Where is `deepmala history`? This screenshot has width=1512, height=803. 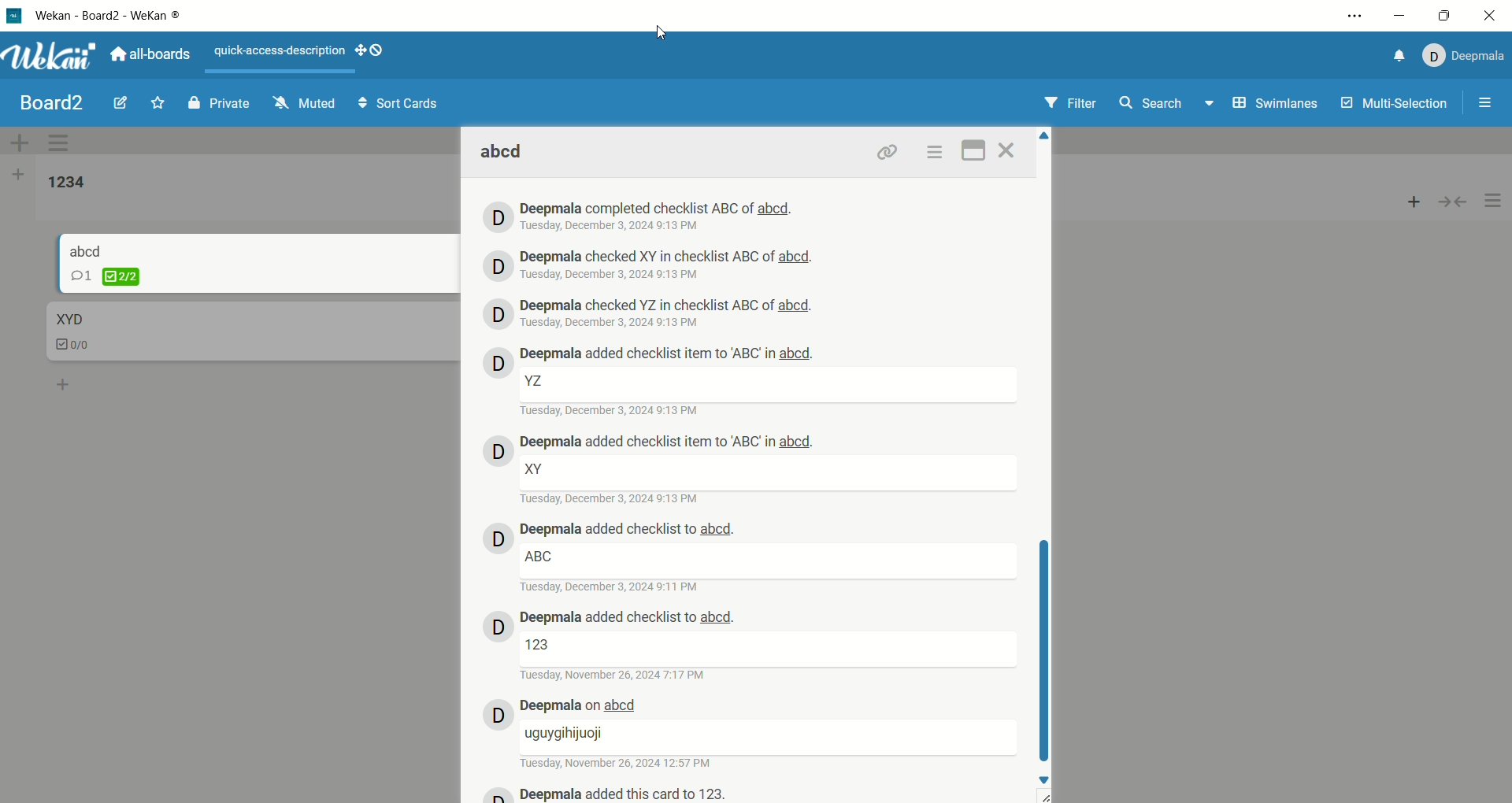
deepmala history is located at coordinates (625, 794).